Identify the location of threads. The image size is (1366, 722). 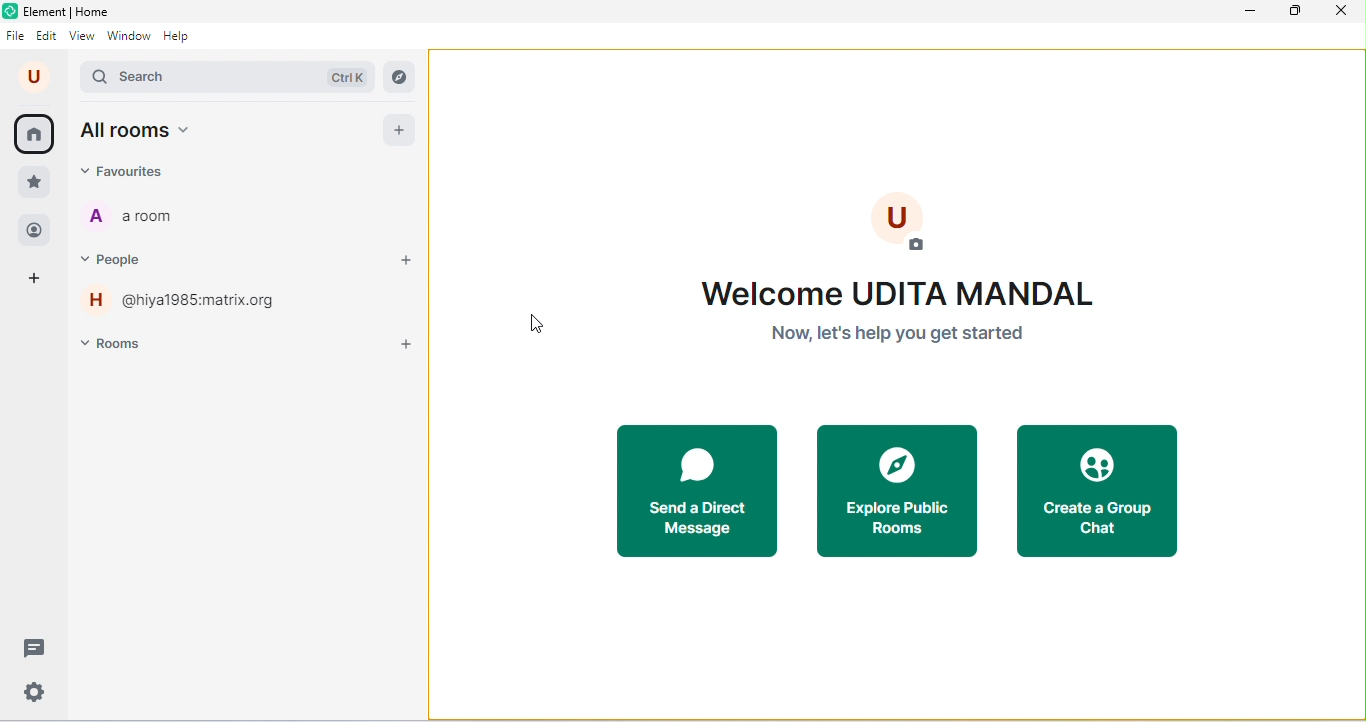
(36, 648).